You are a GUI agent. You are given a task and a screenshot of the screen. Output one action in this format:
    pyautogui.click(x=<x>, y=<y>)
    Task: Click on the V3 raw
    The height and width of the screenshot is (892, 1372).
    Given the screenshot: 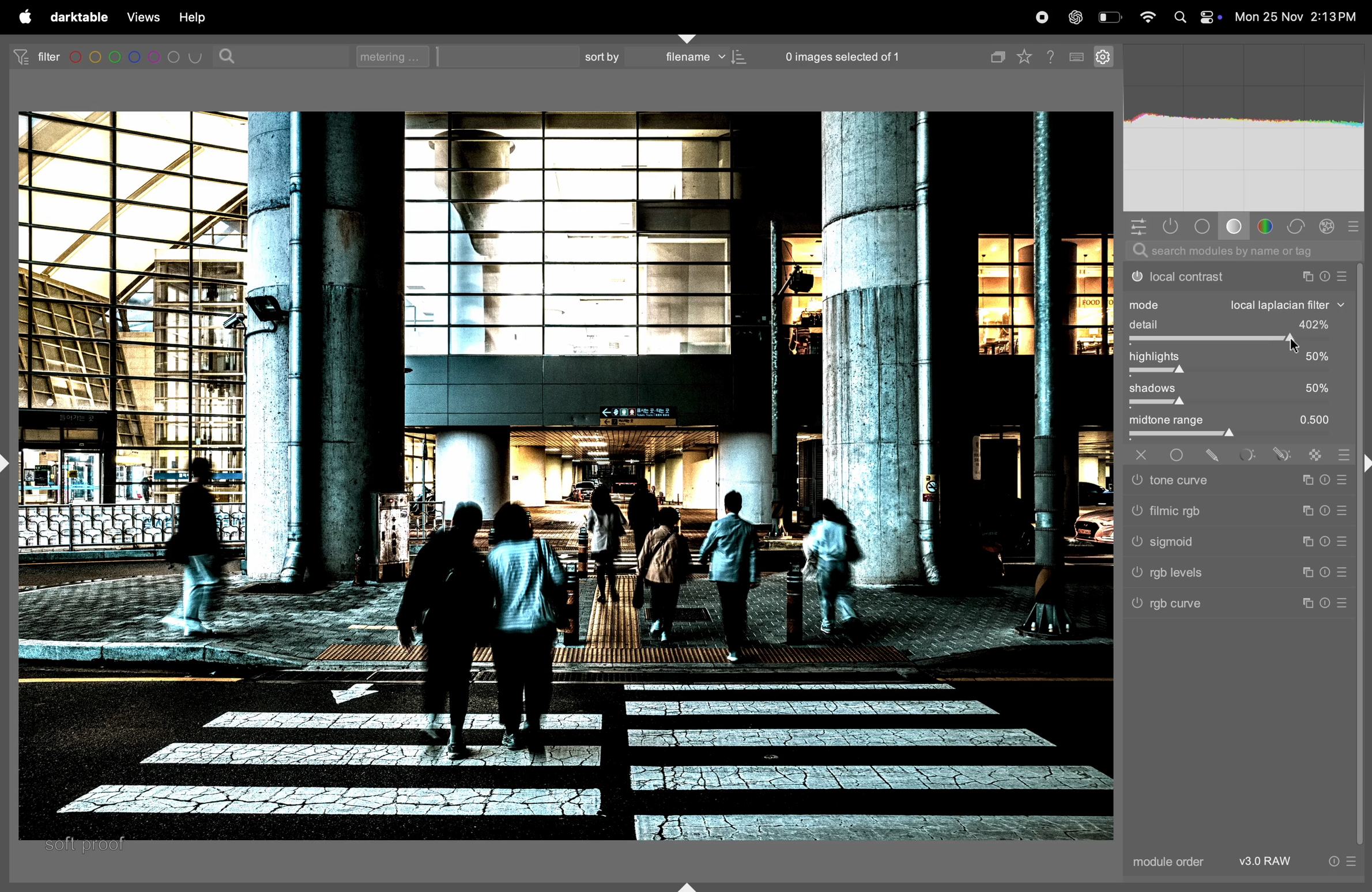 What is the action you would take?
    pyautogui.click(x=1267, y=862)
    